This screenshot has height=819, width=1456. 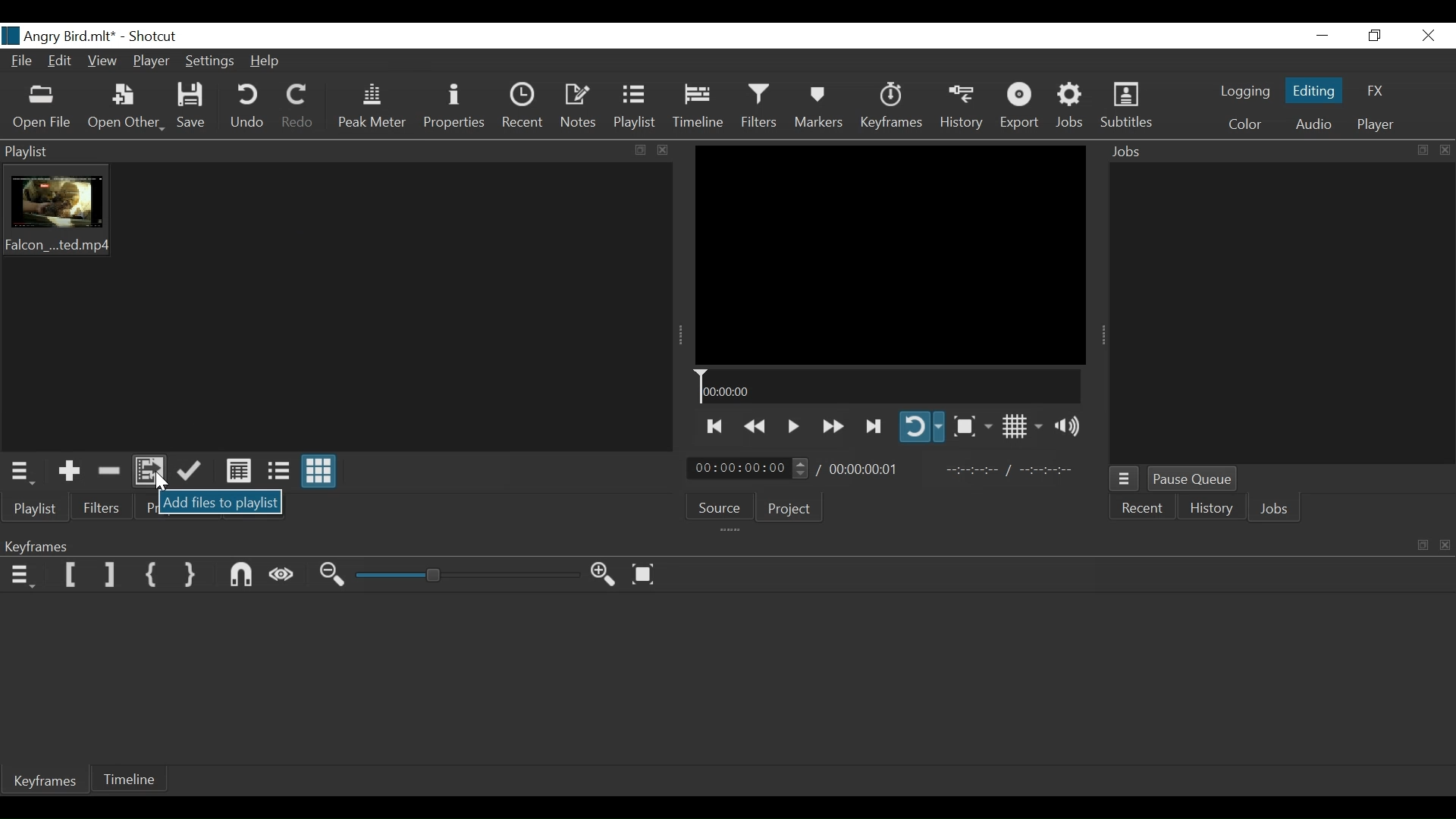 What do you see at coordinates (192, 576) in the screenshot?
I see `Set Second Simple Keyframe` at bounding box center [192, 576].